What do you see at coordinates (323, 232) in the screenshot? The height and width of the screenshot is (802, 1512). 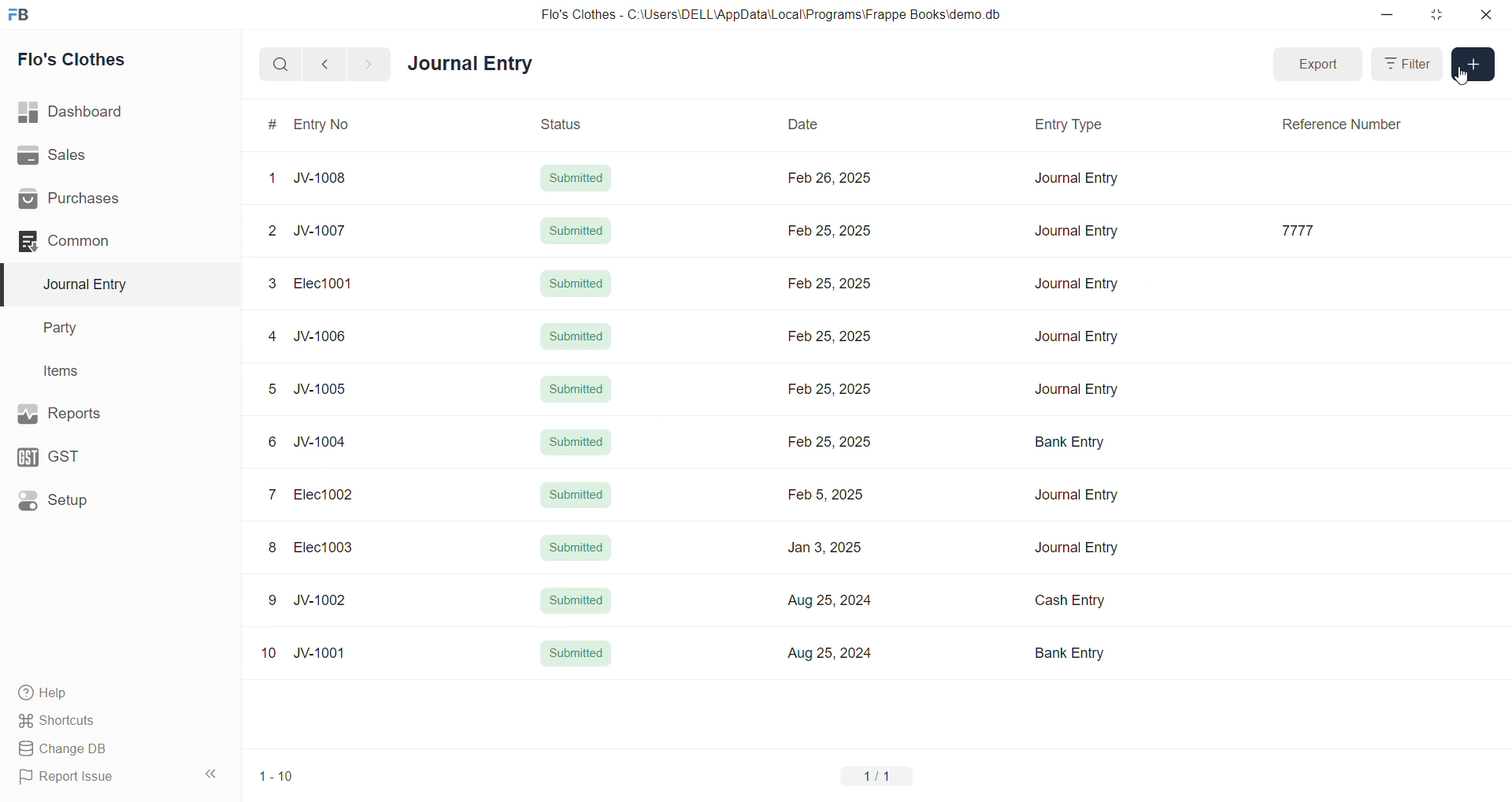 I see `JV-1007` at bounding box center [323, 232].